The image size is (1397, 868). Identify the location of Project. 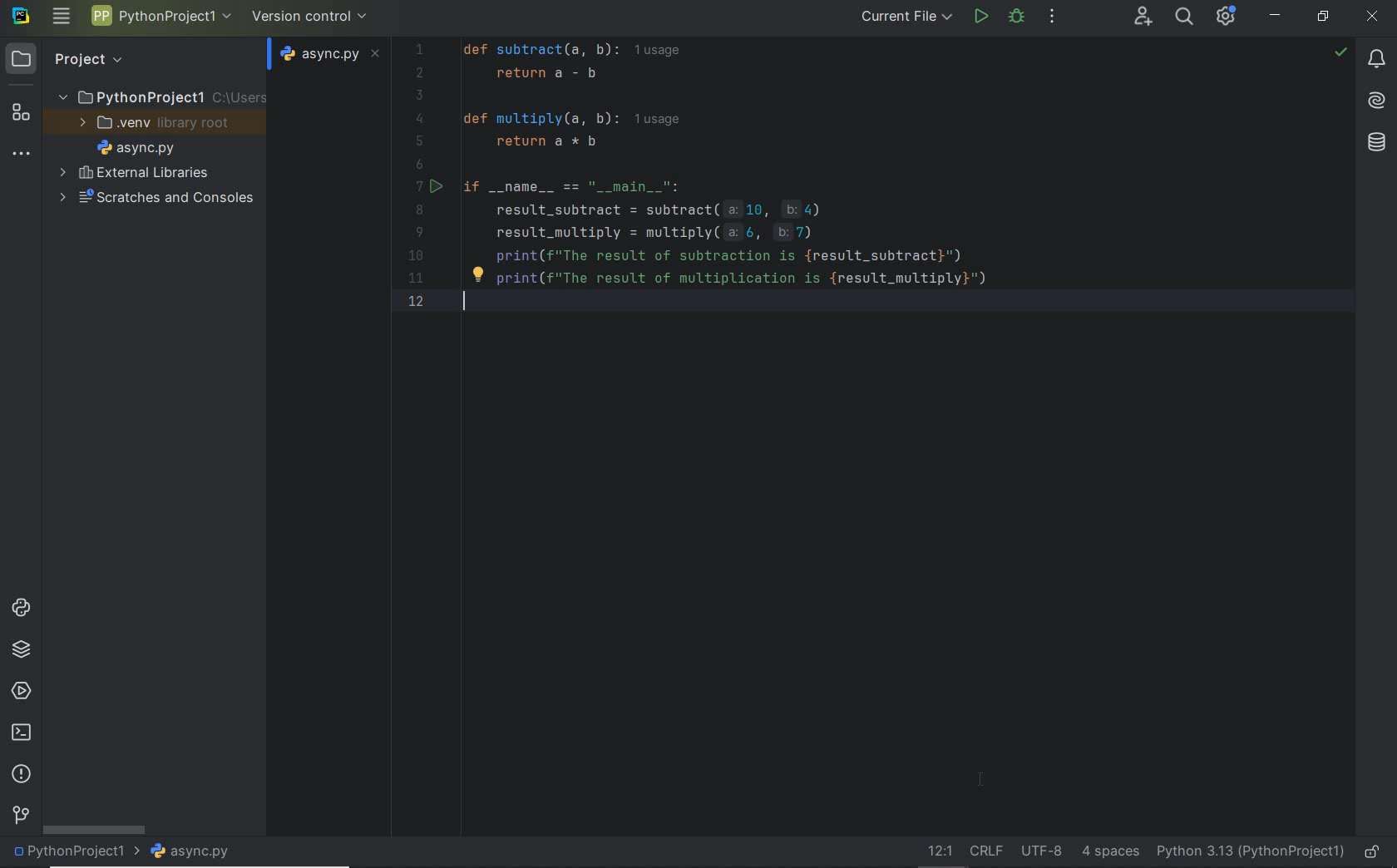
(74, 60).